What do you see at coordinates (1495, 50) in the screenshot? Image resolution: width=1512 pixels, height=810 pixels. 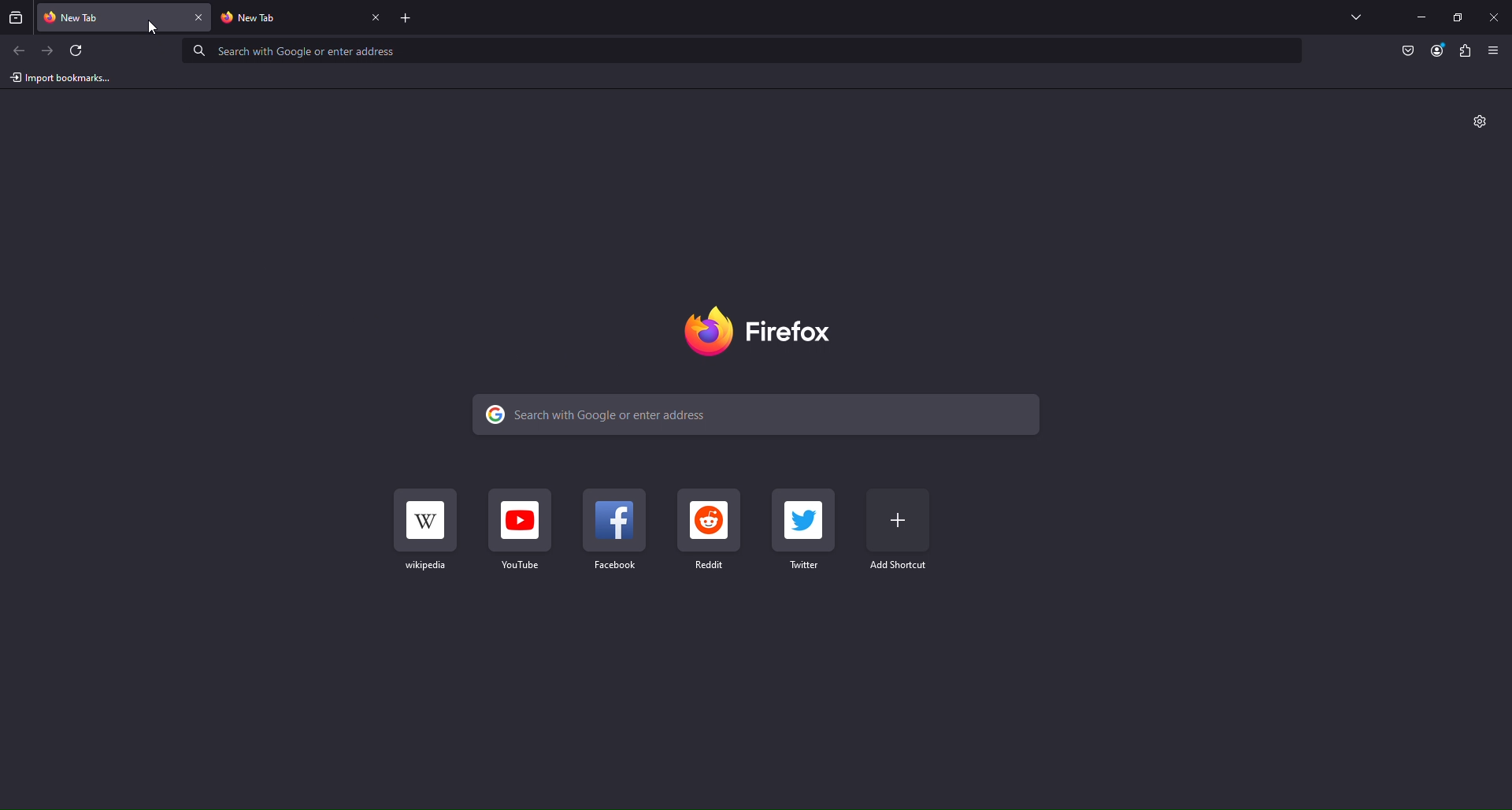 I see `Show Application Menu` at bounding box center [1495, 50].